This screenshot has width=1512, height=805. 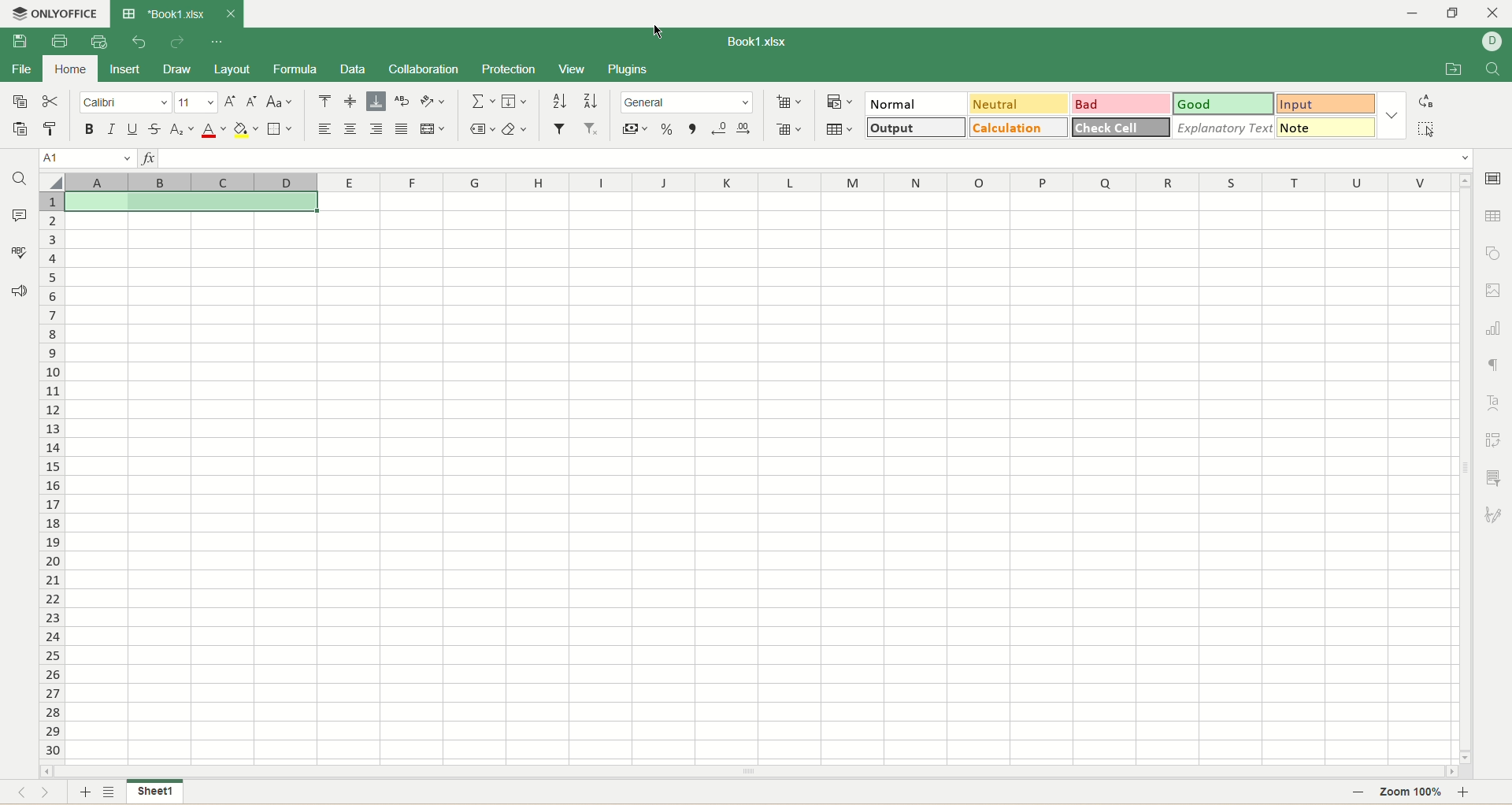 I want to click on undo, so click(x=136, y=43).